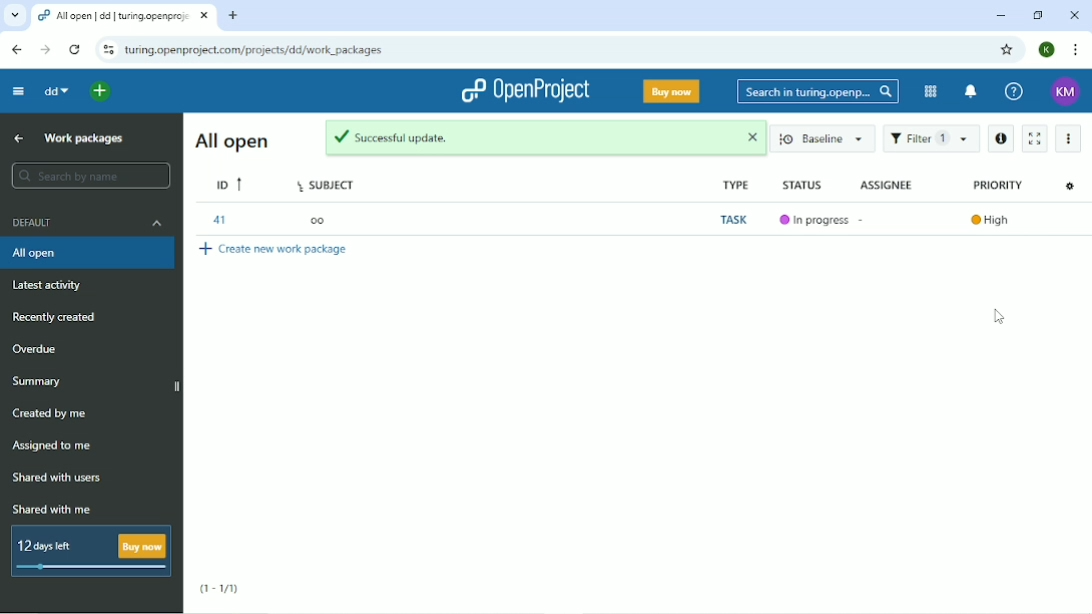 The width and height of the screenshot is (1092, 614). What do you see at coordinates (808, 187) in the screenshot?
I see `Status` at bounding box center [808, 187].